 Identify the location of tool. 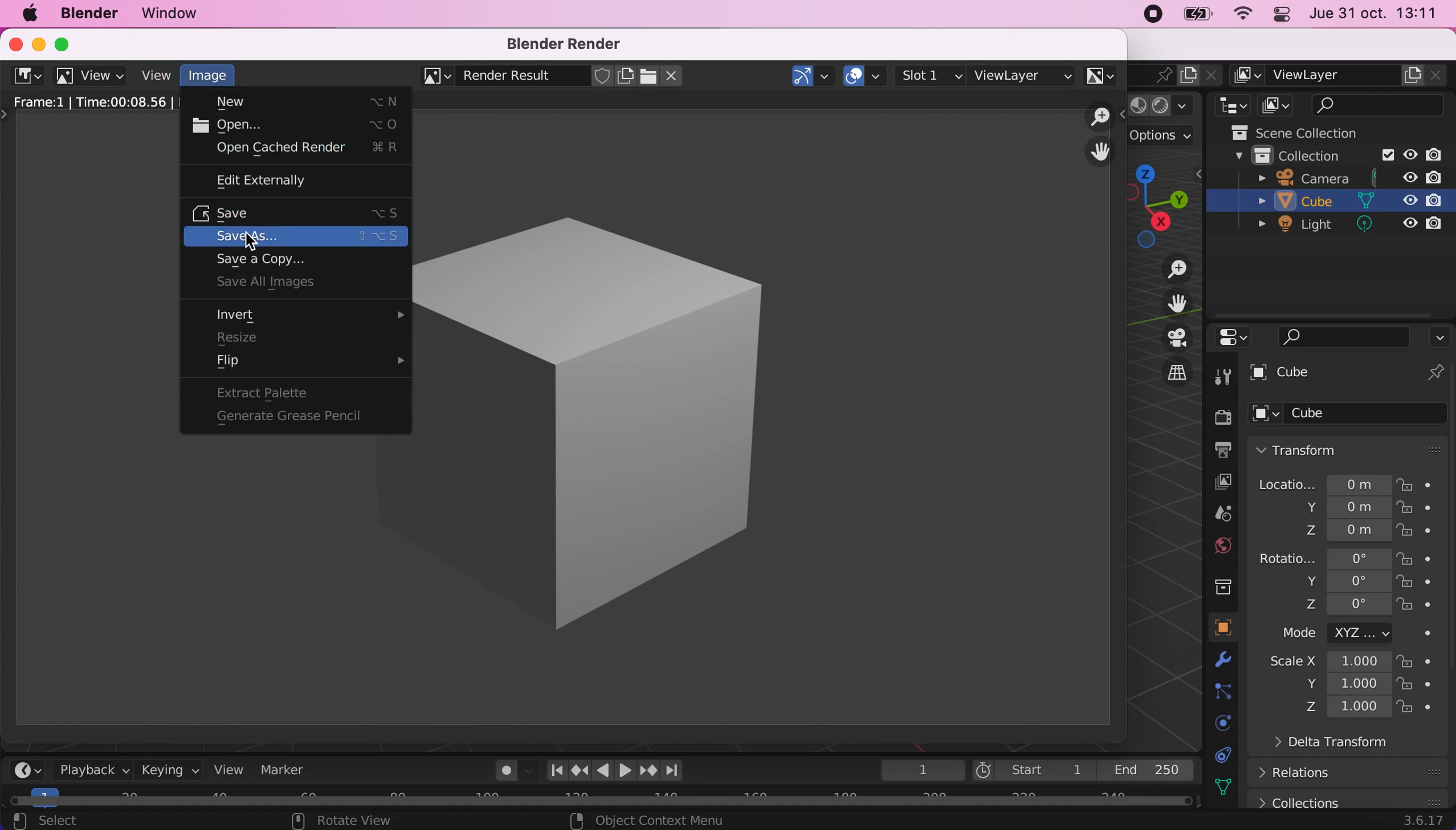
(1223, 377).